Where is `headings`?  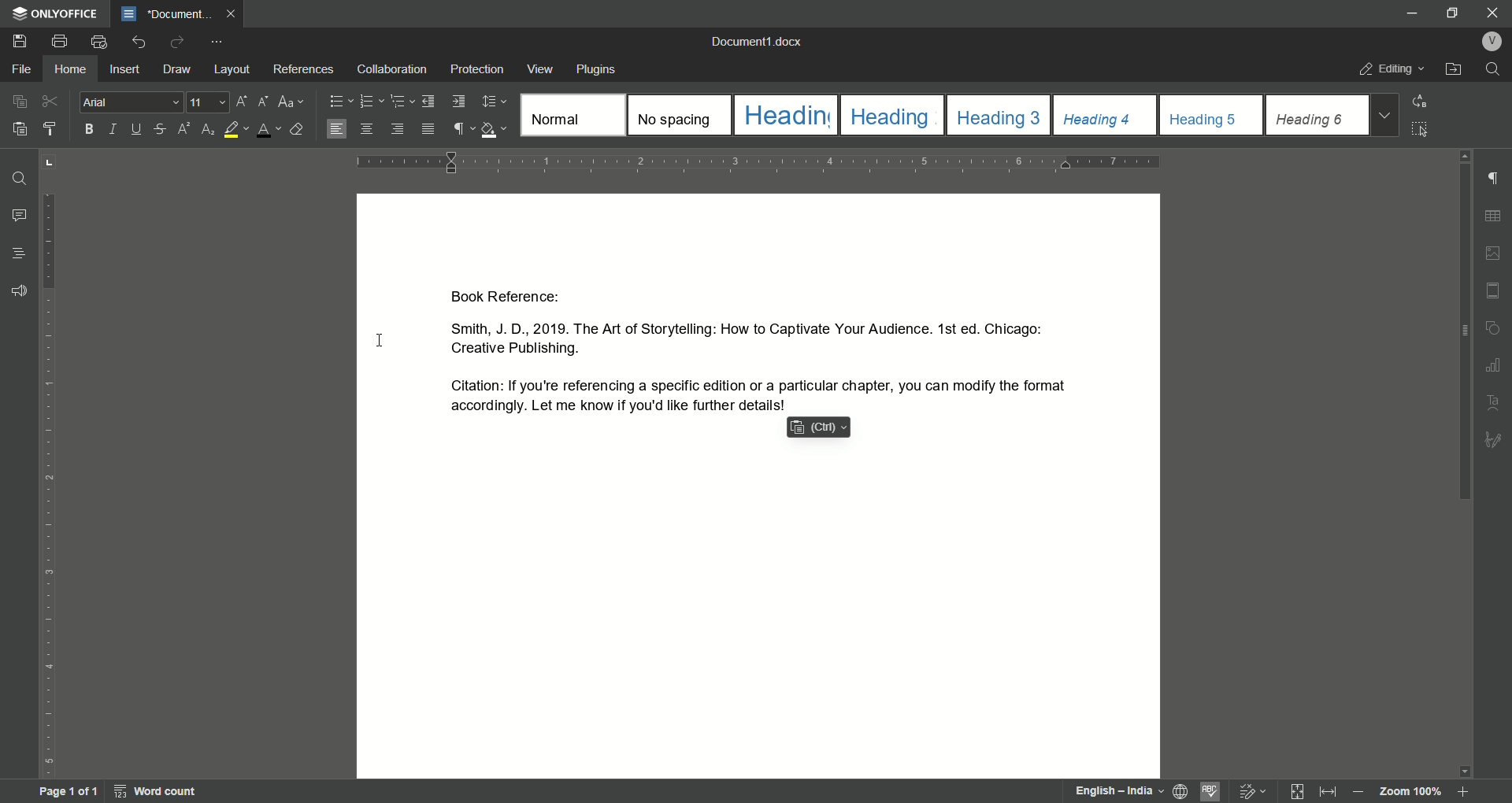 headings is located at coordinates (999, 115).